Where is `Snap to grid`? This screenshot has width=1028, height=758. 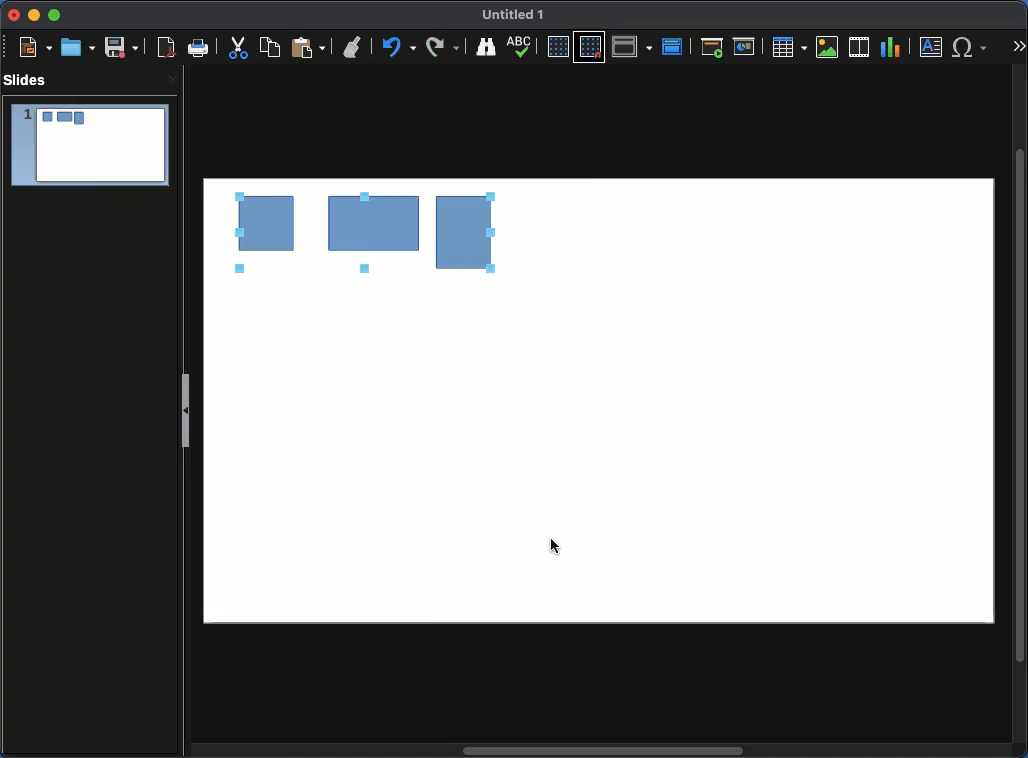 Snap to grid is located at coordinates (590, 48).